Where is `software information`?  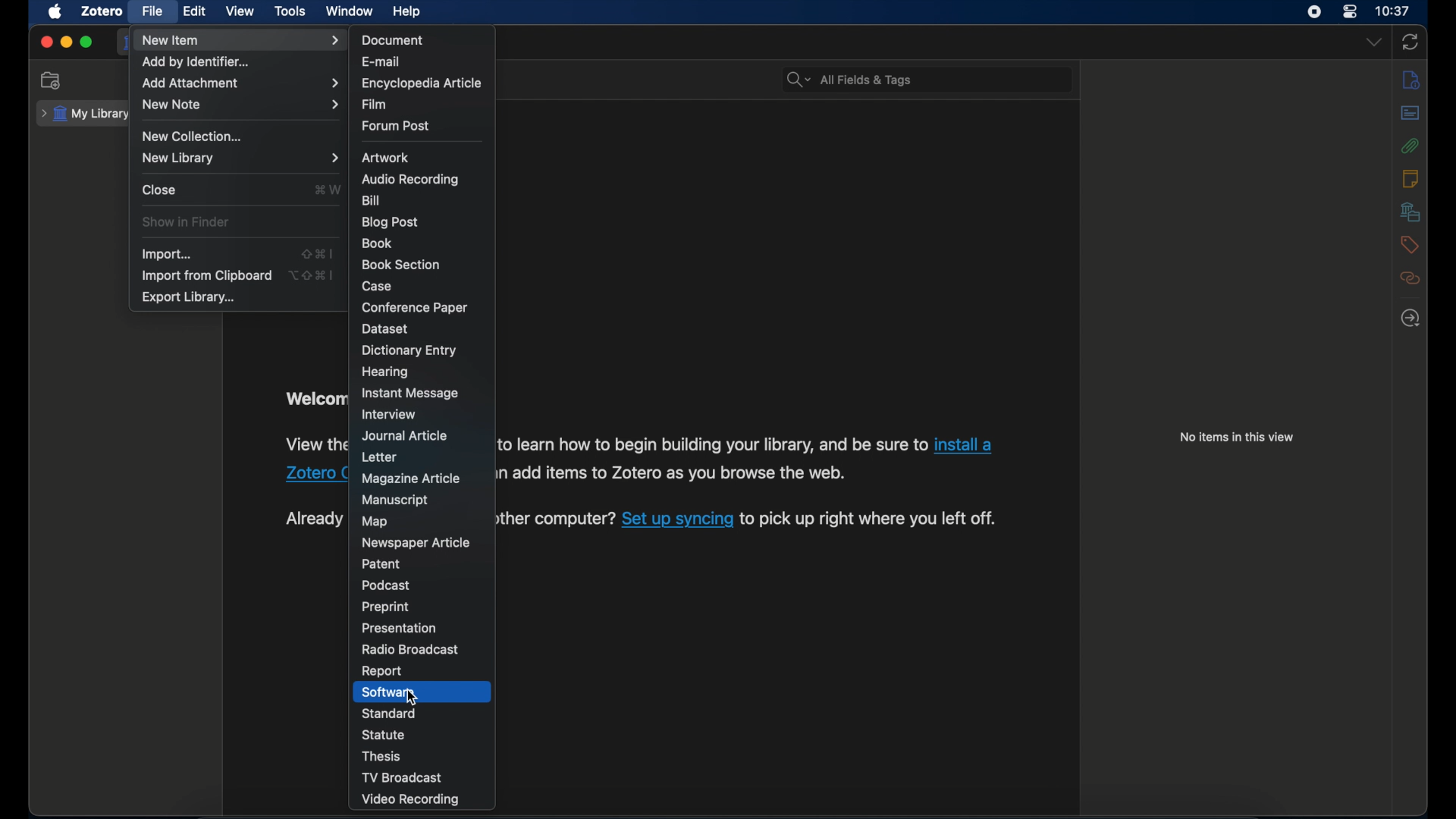 software information is located at coordinates (315, 447).